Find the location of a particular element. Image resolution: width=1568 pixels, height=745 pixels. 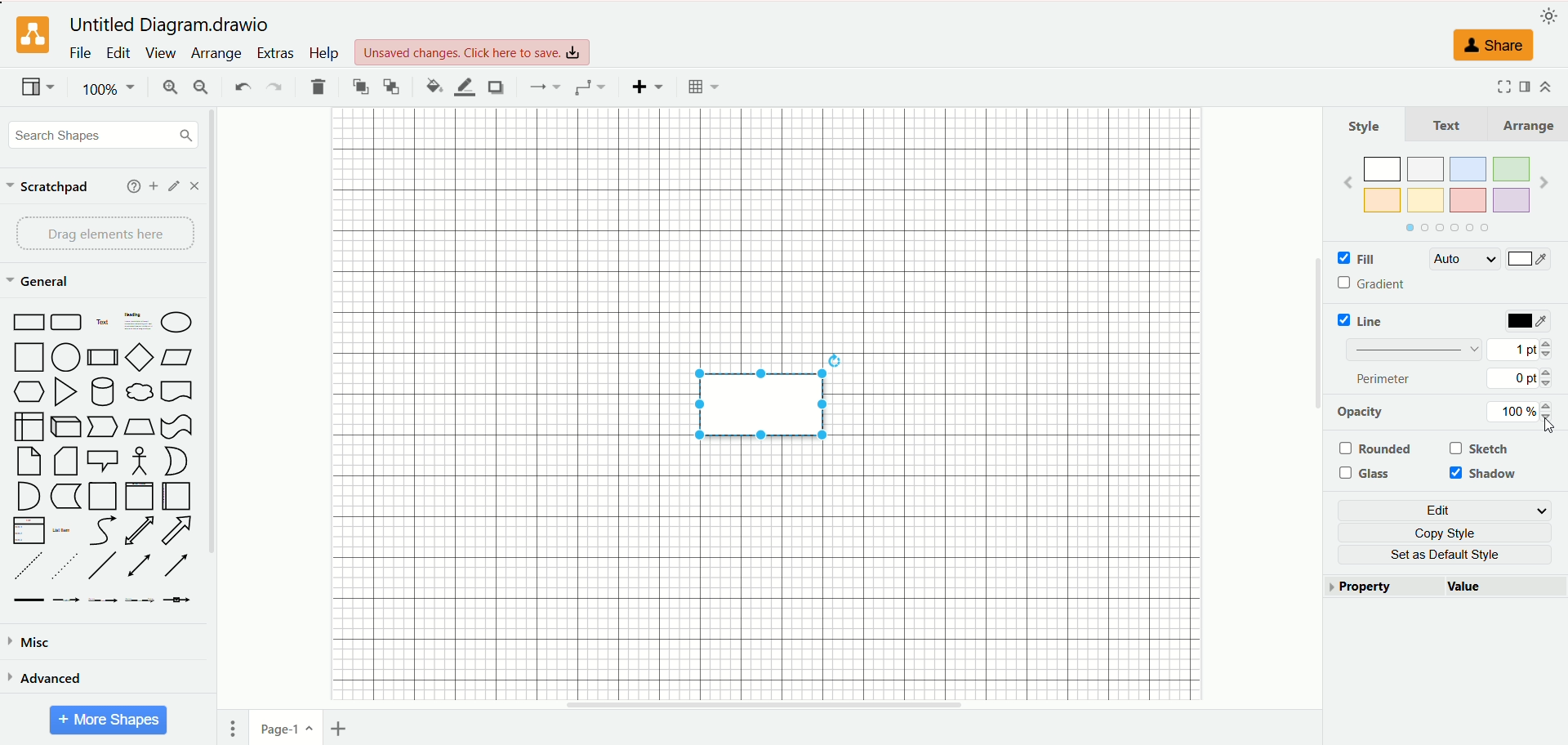

100% is located at coordinates (110, 89).